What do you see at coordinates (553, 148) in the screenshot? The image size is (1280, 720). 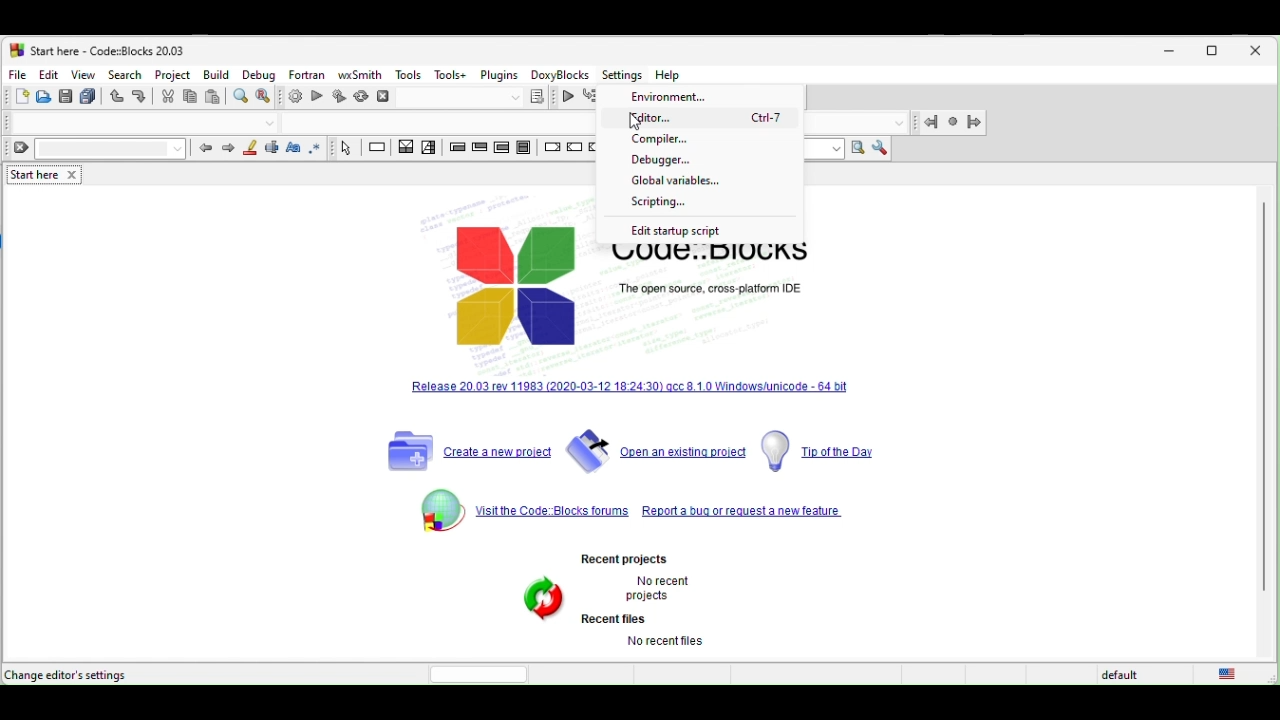 I see `break` at bounding box center [553, 148].